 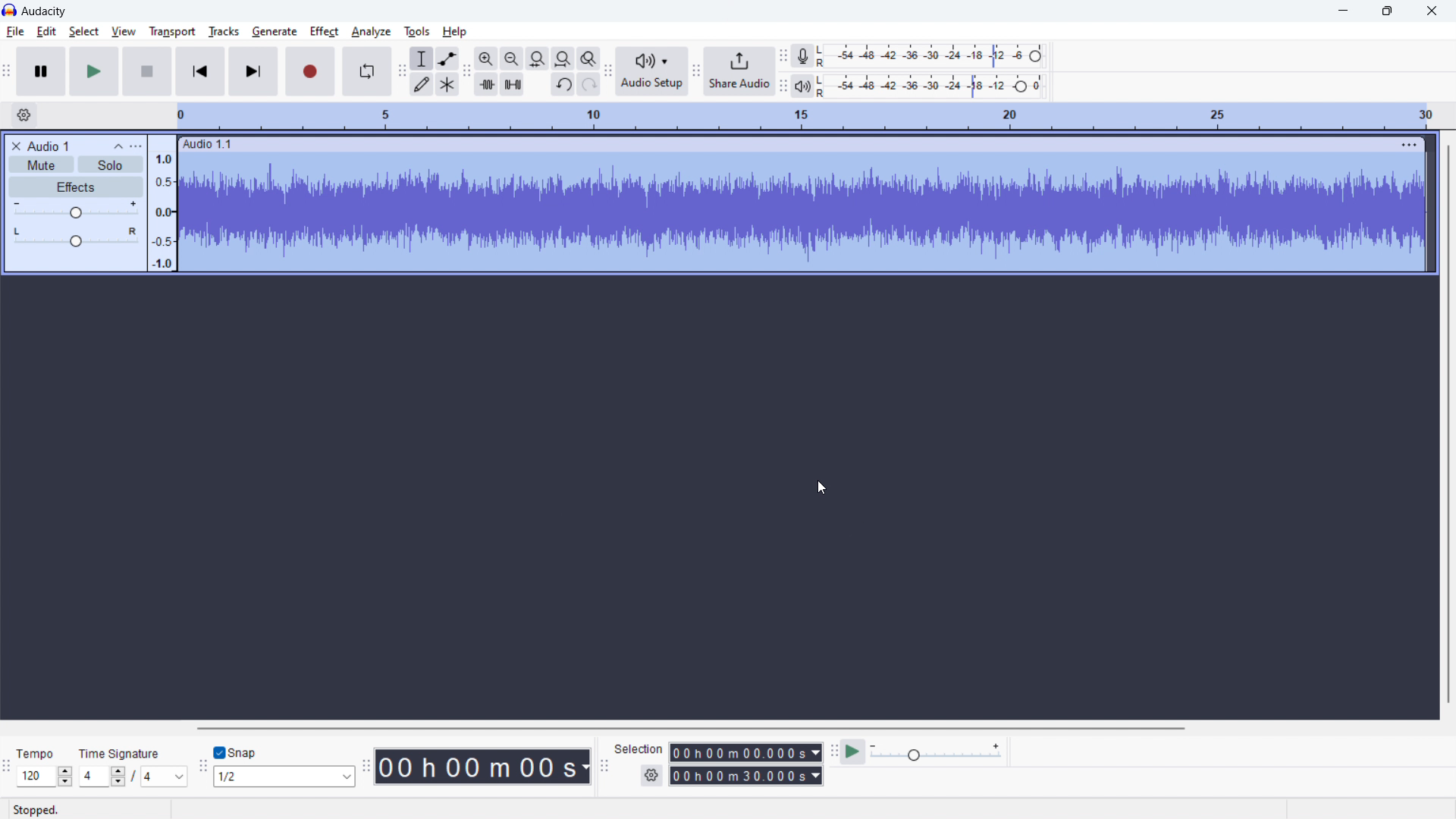 I want to click on select snapping, so click(x=286, y=777).